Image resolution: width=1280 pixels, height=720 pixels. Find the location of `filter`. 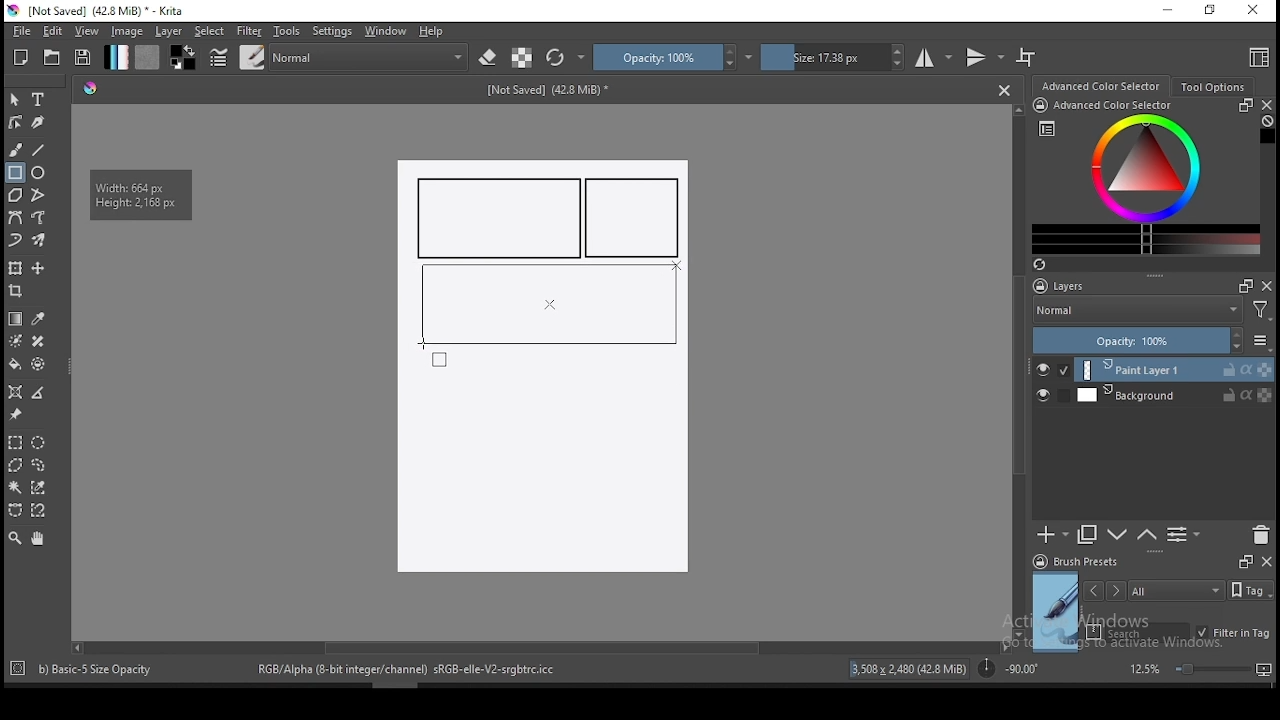

filter is located at coordinates (248, 31).